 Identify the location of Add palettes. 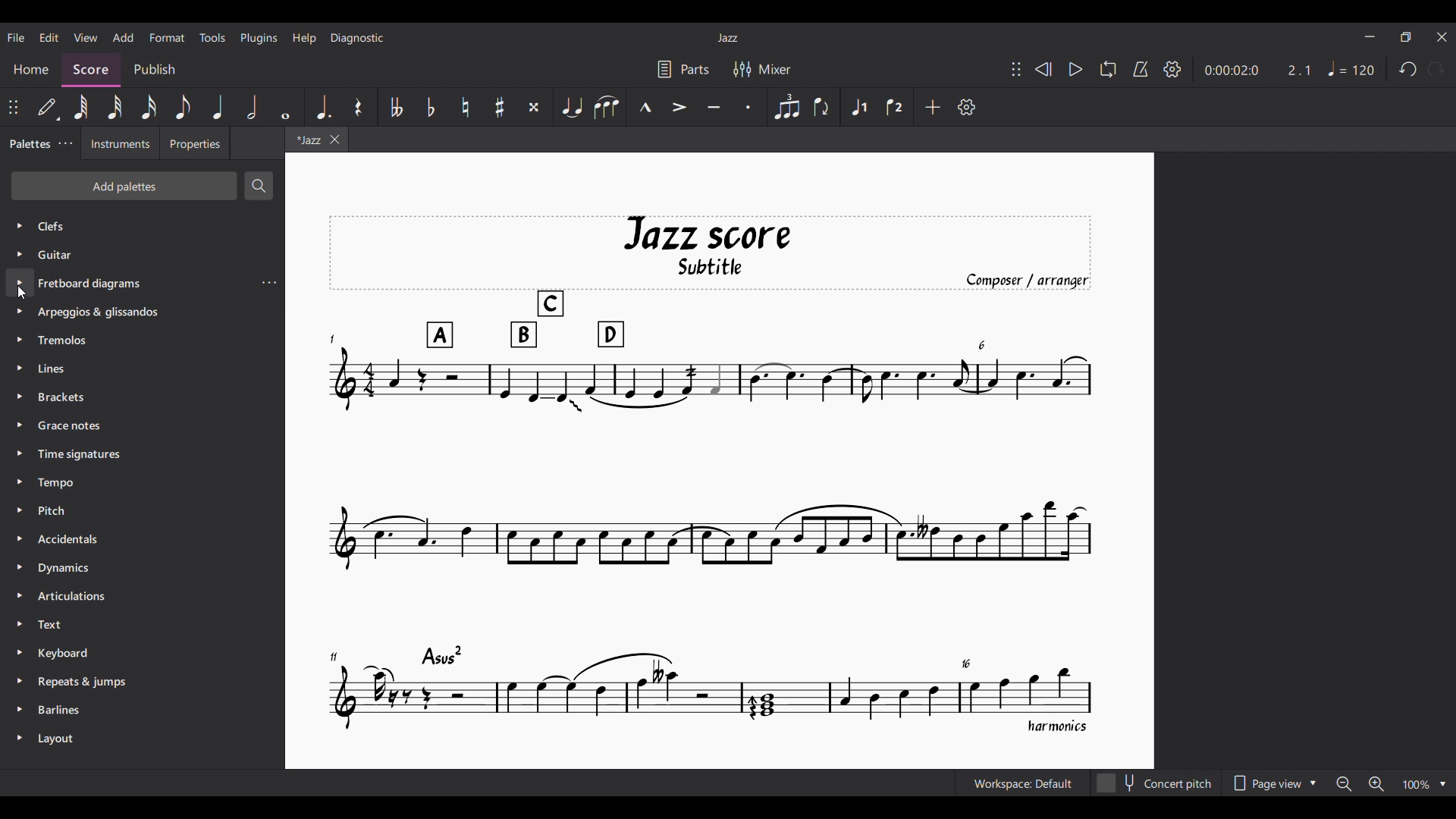
(123, 185).